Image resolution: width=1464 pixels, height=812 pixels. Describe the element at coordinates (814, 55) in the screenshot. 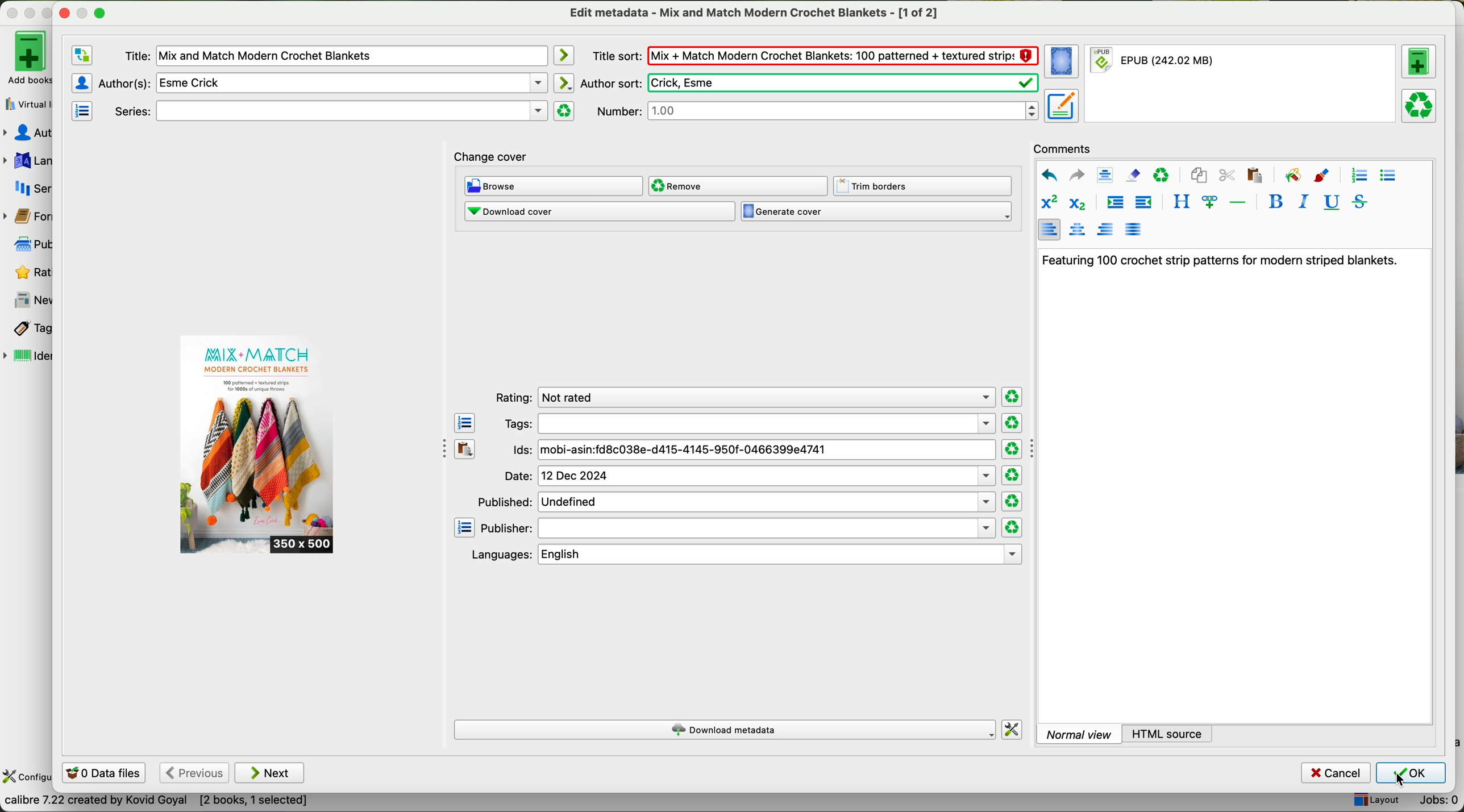

I see `title sort` at that location.